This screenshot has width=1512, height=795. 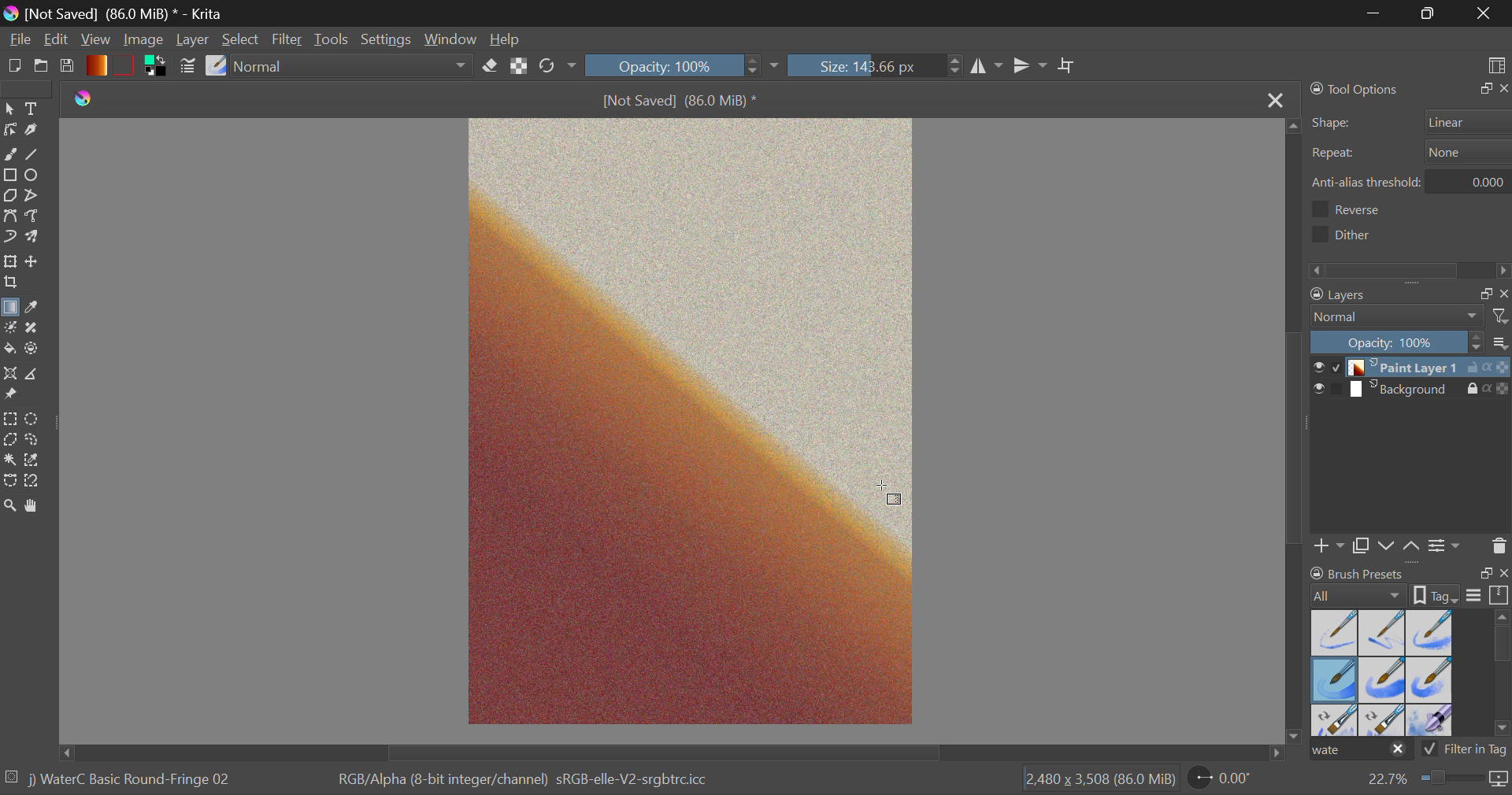 What do you see at coordinates (10, 284) in the screenshot?
I see `Crop` at bounding box center [10, 284].